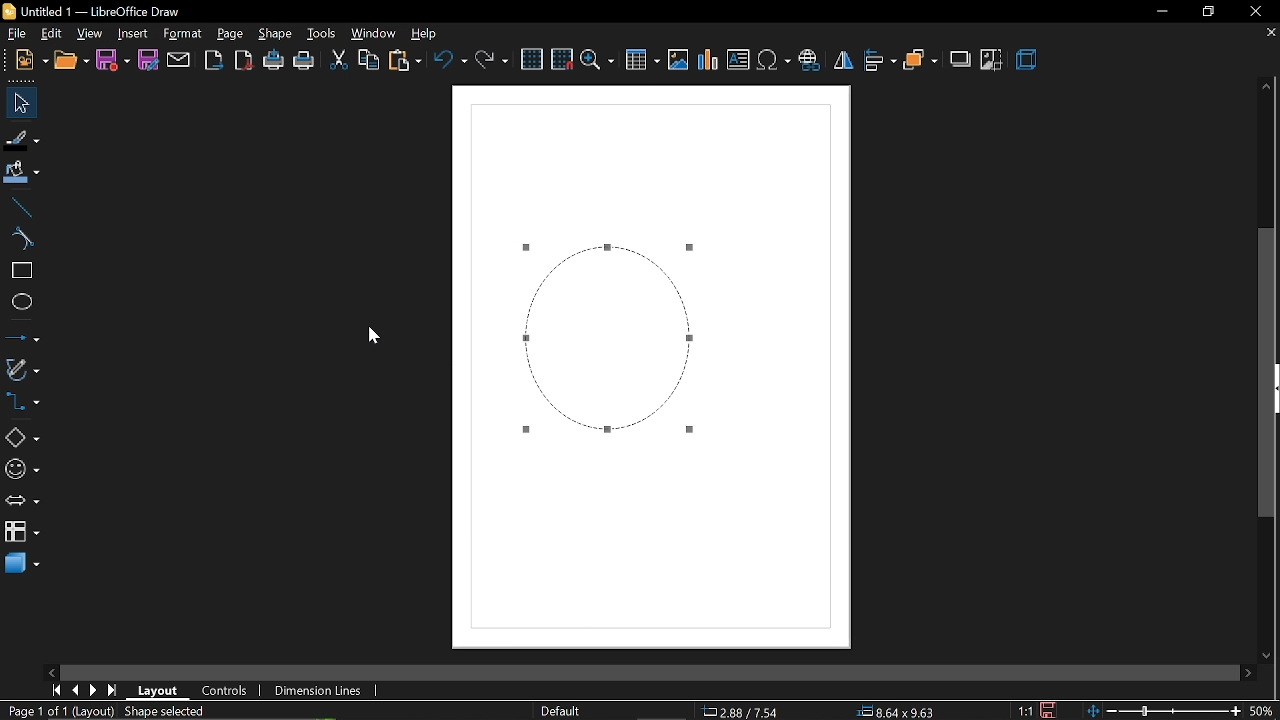  I want to click on copy, so click(370, 60).